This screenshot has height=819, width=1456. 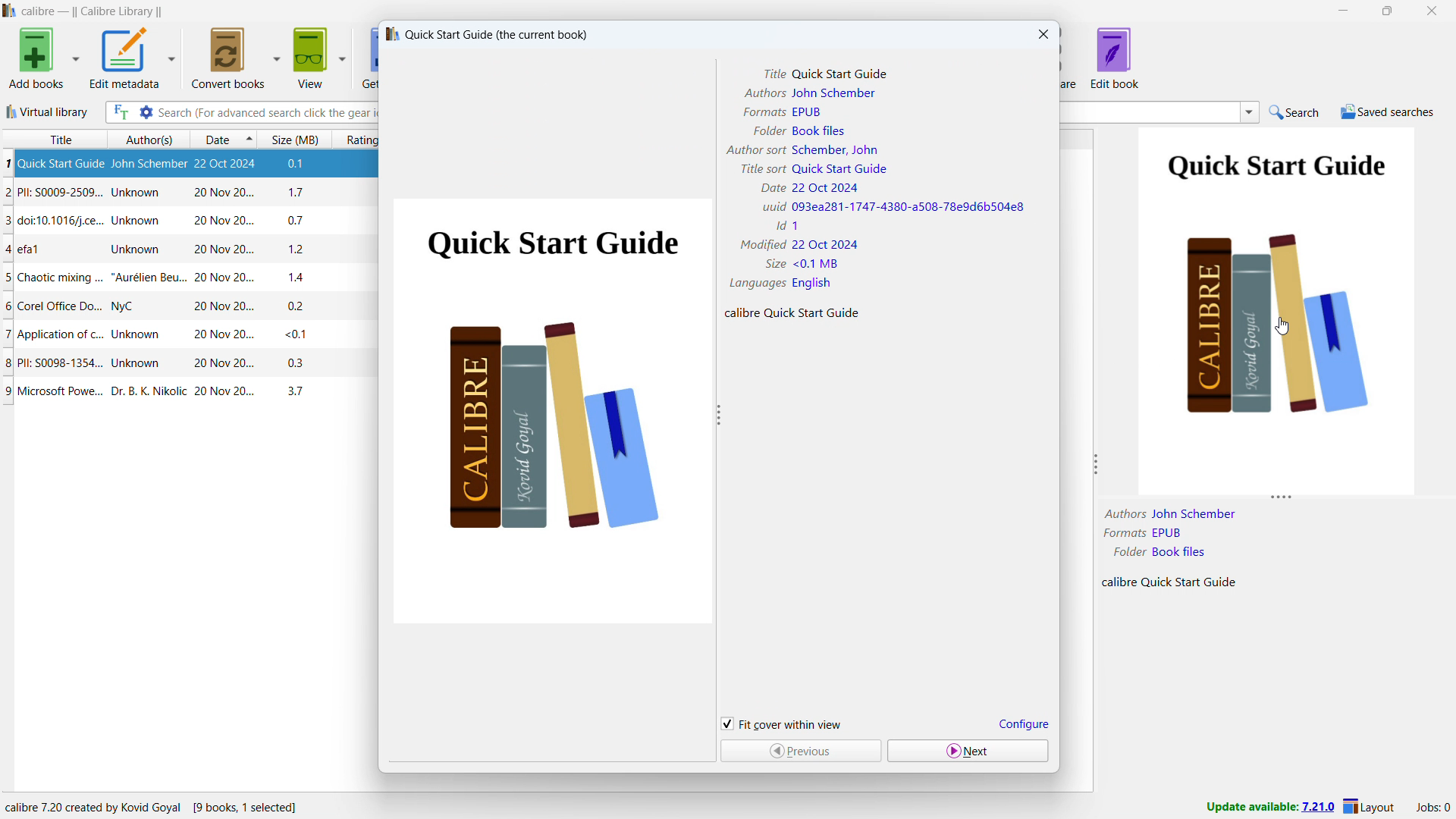 I want to click on rating, so click(x=356, y=139).